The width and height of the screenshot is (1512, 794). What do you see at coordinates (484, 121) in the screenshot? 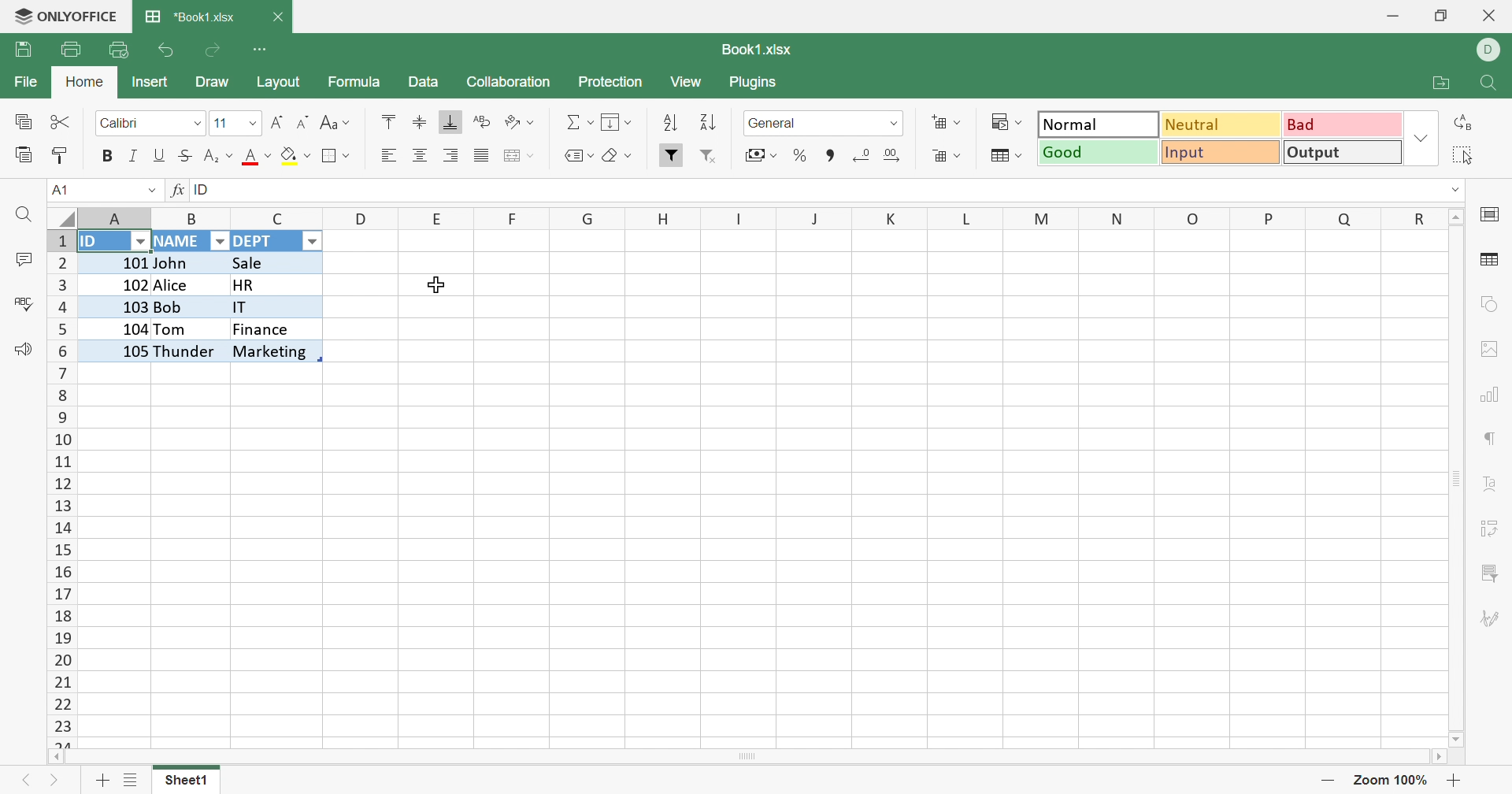
I see `Wrap Text` at bounding box center [484, 121].